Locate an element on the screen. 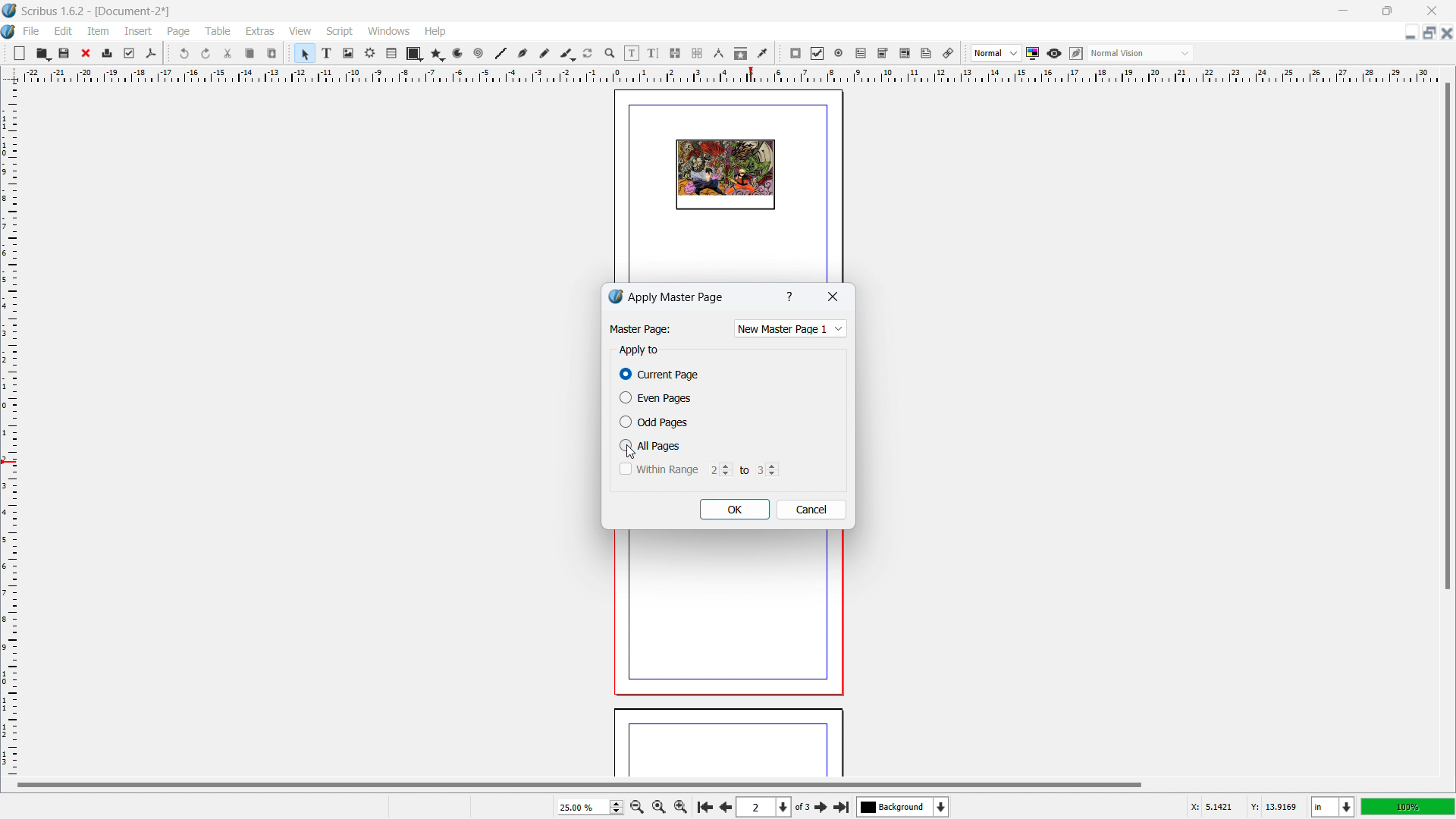 The height and width of the screenshot is (819, 1456). minimize window is located at coordinates (1341, 11).